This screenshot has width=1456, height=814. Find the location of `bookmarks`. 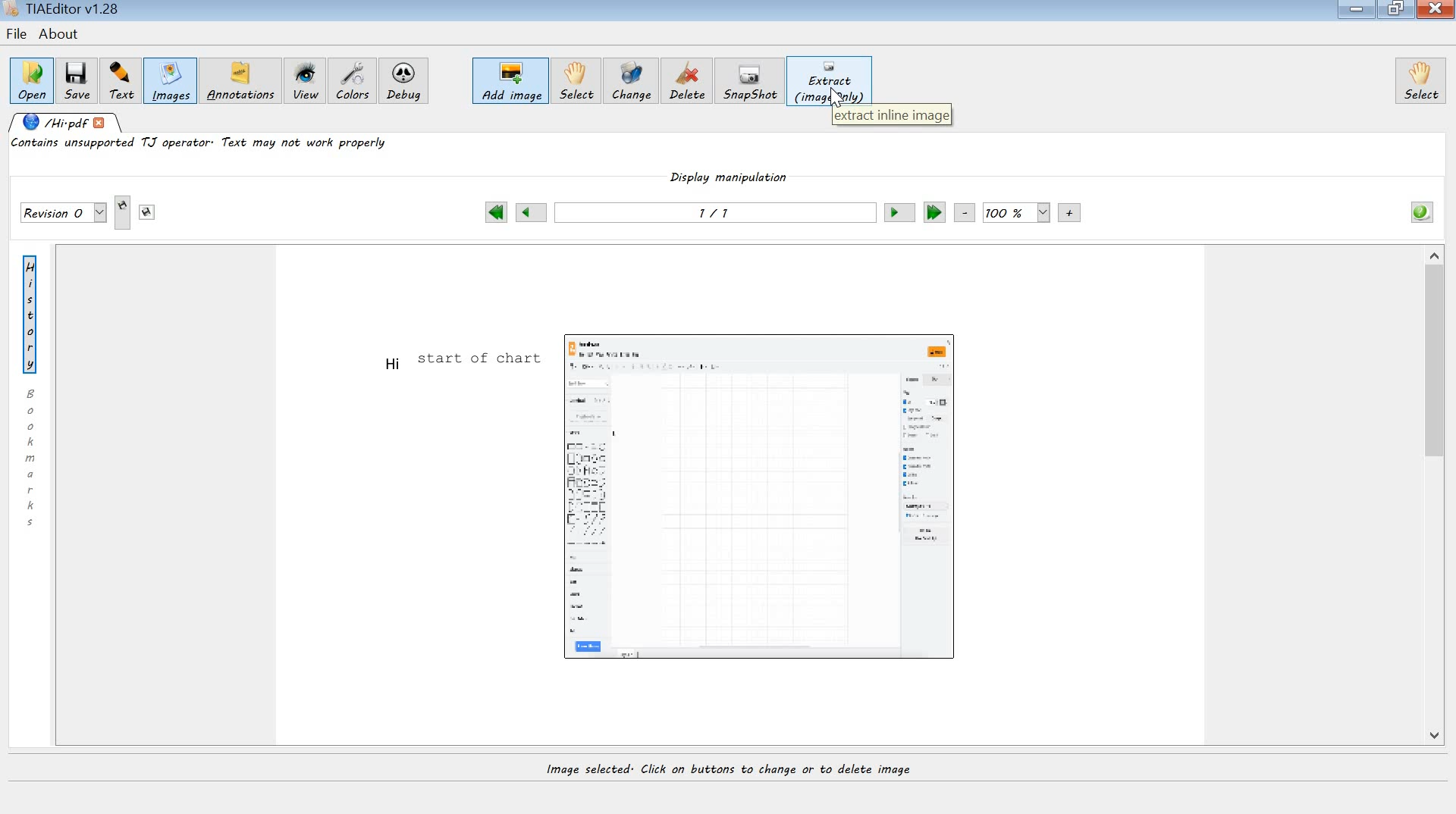

bookmarks is located at coordinates (33, 457).